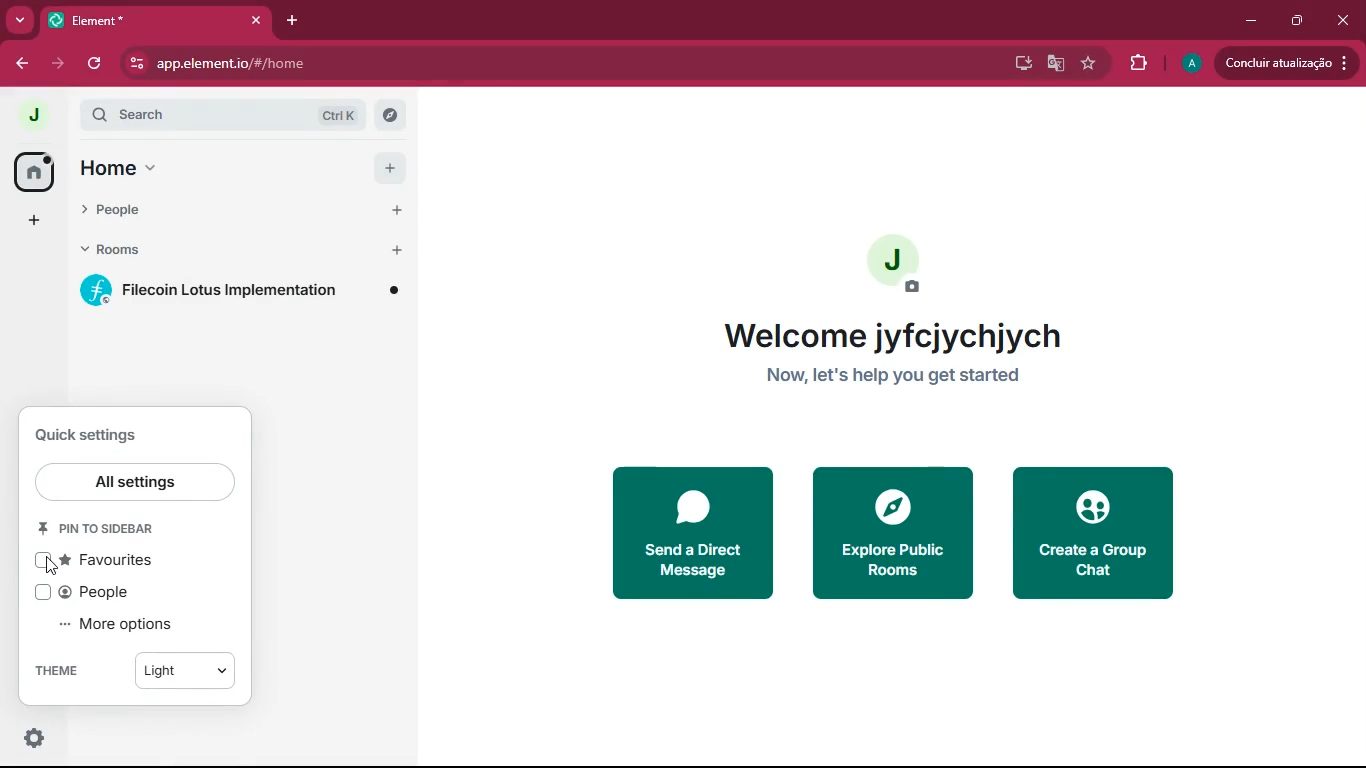  Describe the element at coordinates (1098, 534) in the screenshot. I see `create ` at that location.